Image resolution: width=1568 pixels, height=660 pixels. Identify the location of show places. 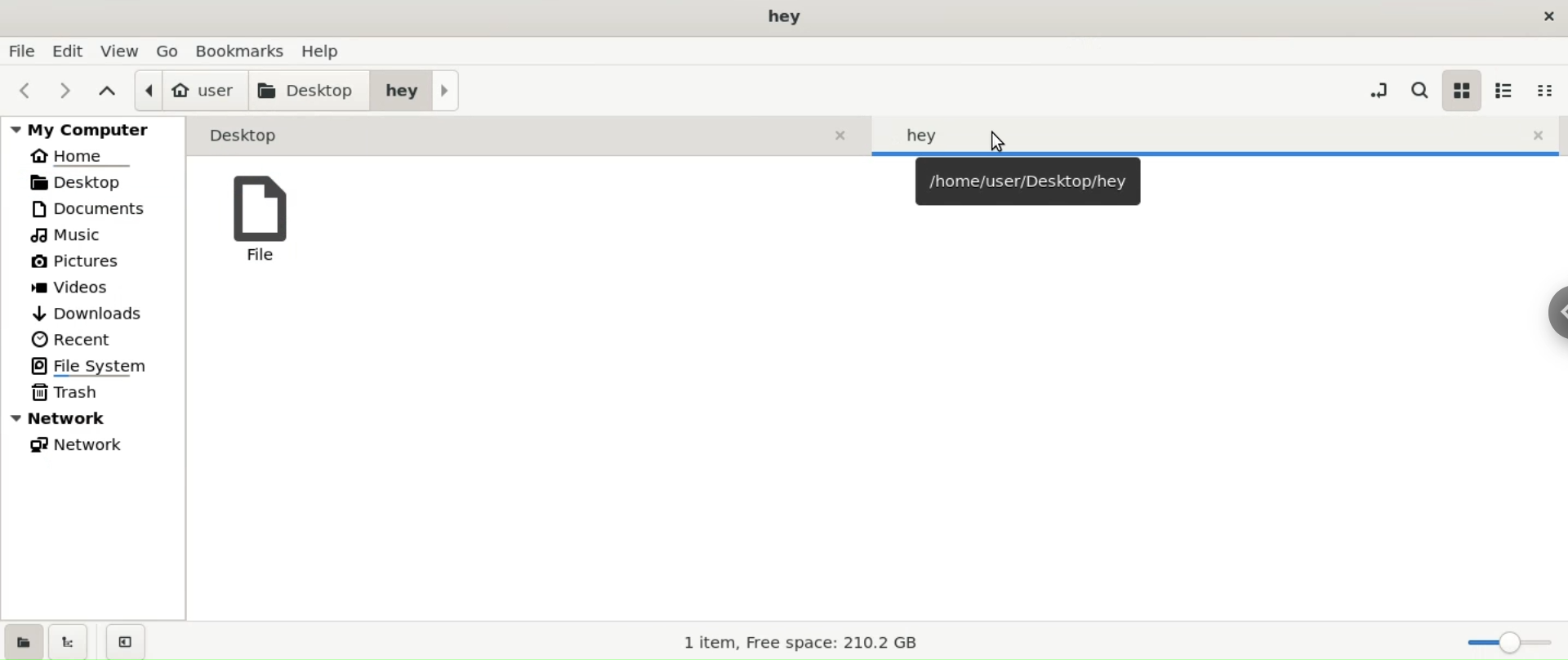
(26, 640).